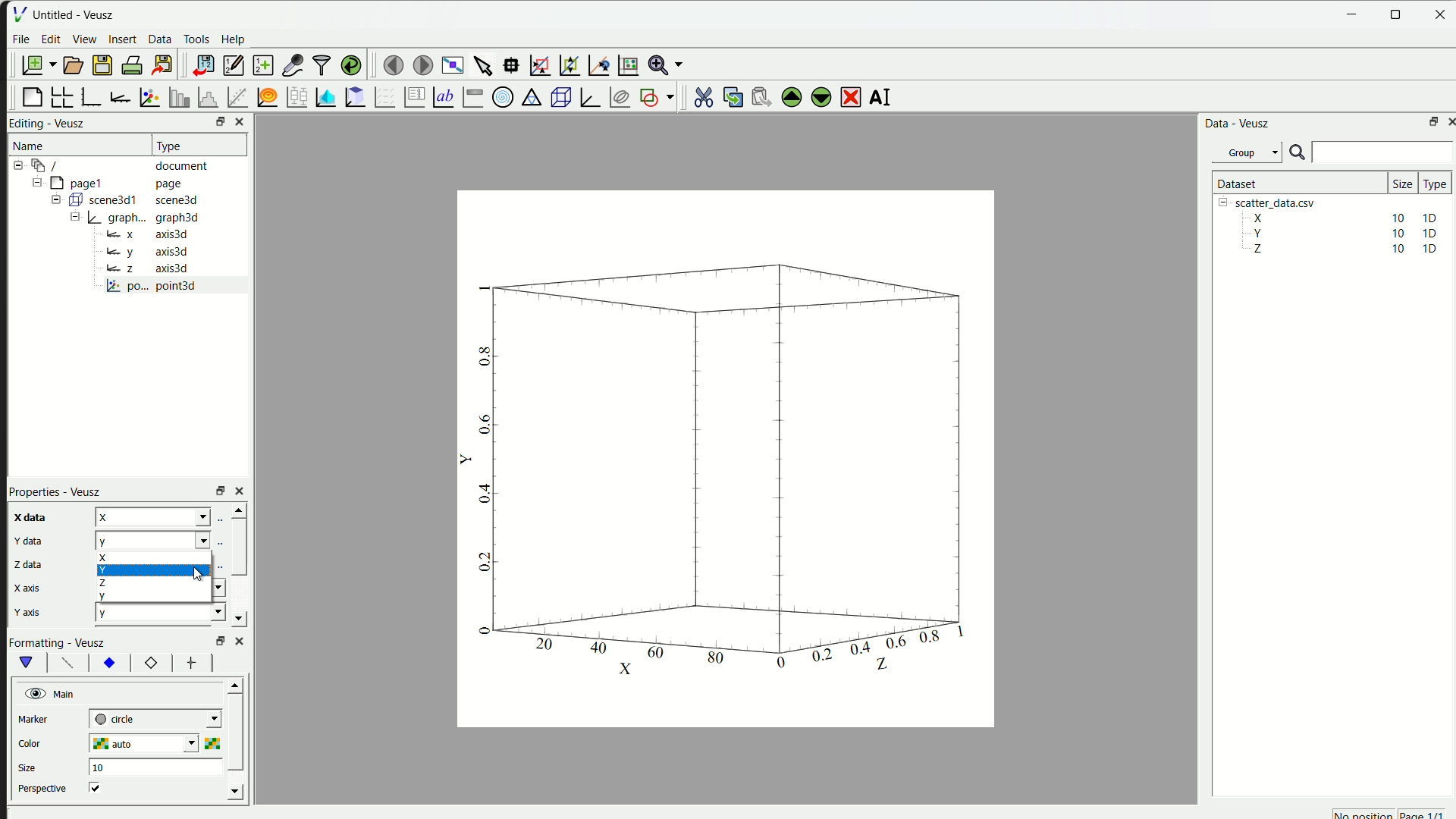  Describe the element at coordinates (1398, 180) in the screenshot. I see `size` at that location.